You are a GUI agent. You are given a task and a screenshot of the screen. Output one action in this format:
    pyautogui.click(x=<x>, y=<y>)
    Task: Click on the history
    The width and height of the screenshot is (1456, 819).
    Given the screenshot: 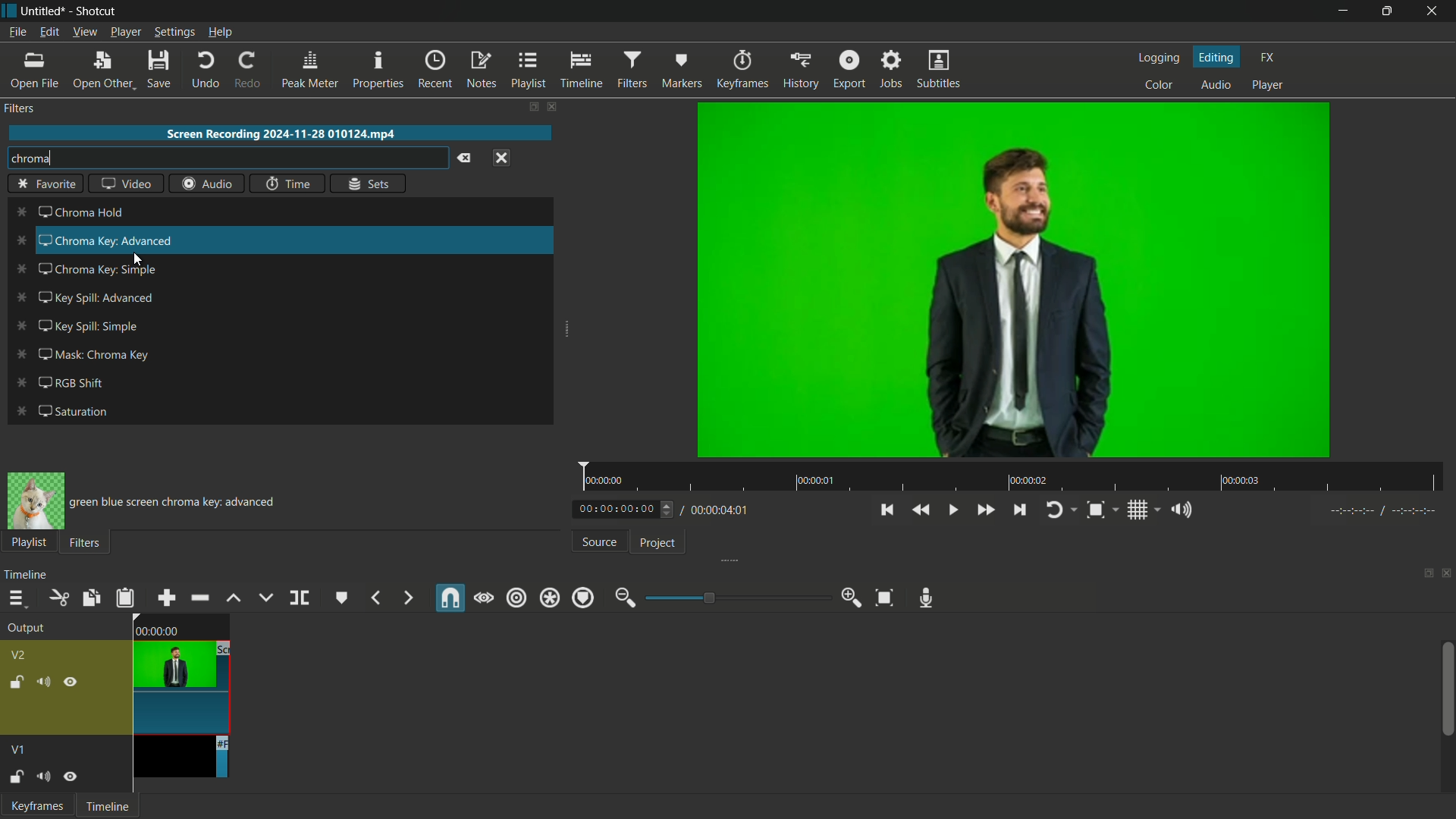 What is the action you would take?
    pyautogui.click(x=798, y=71)
    